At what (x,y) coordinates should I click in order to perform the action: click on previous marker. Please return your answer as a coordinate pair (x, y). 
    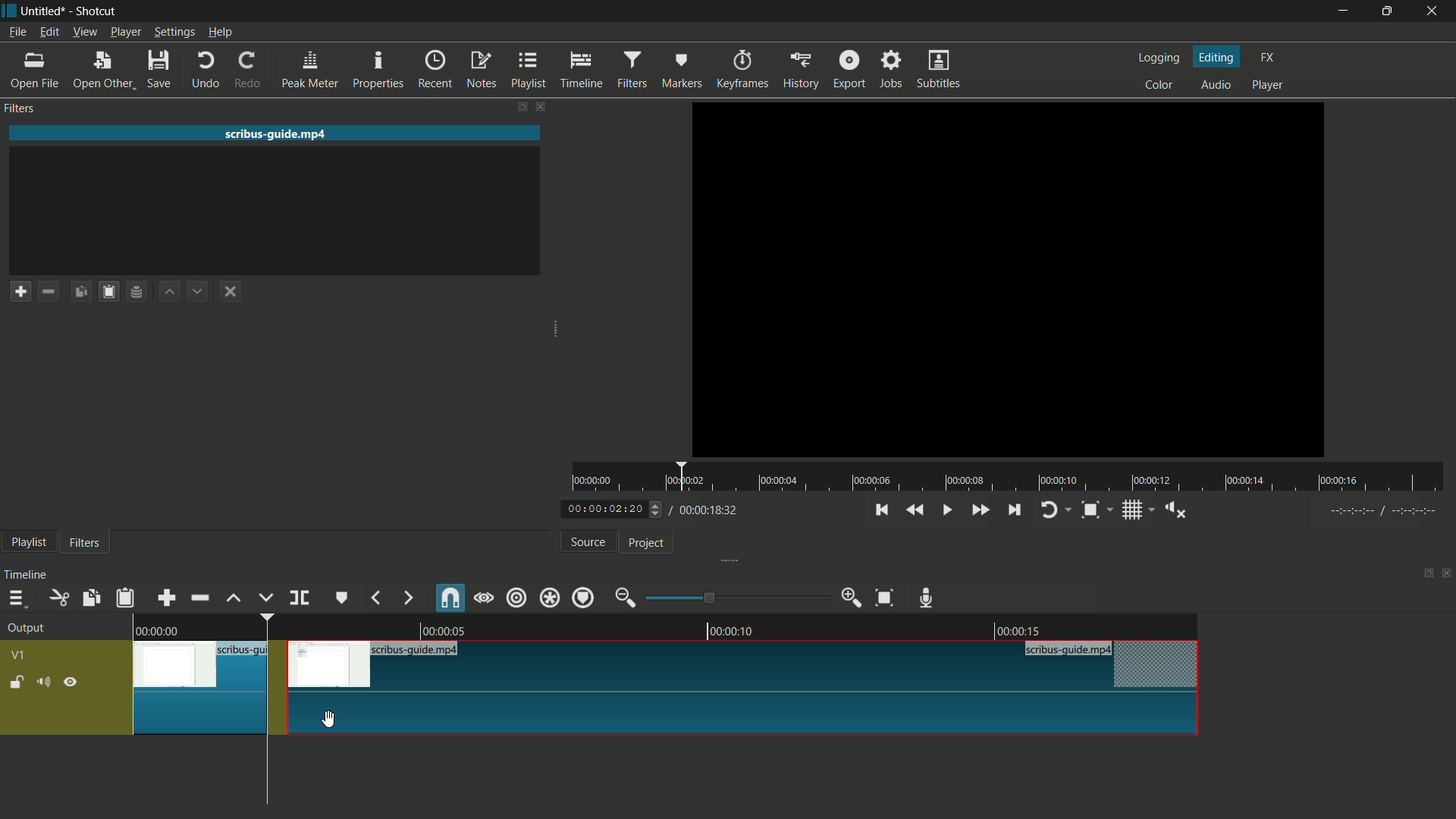
    Looking at the image, I should click on (376, 597).